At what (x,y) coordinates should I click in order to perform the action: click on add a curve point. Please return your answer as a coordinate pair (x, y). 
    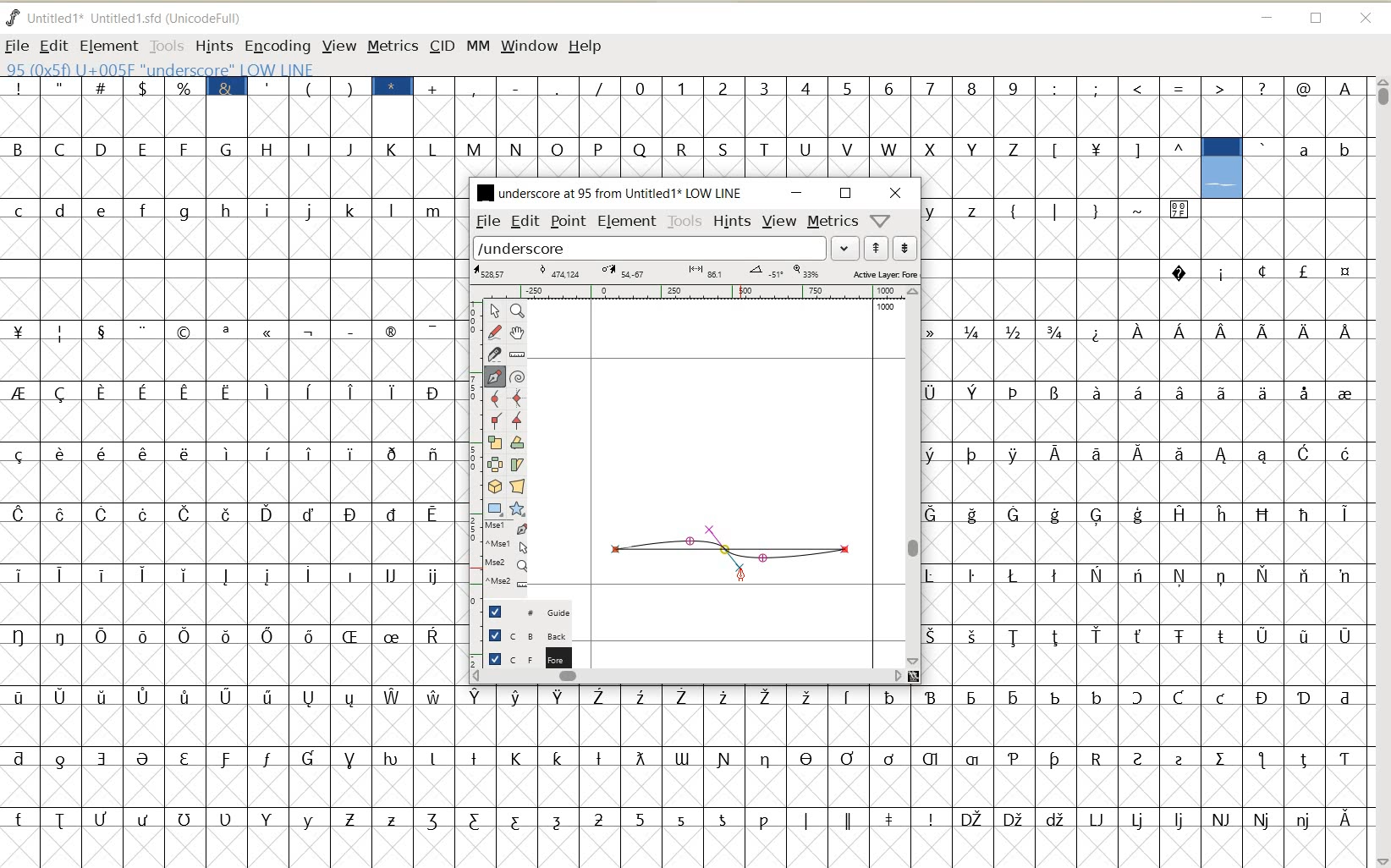
    Looking at the image, I should click on (494, 398).